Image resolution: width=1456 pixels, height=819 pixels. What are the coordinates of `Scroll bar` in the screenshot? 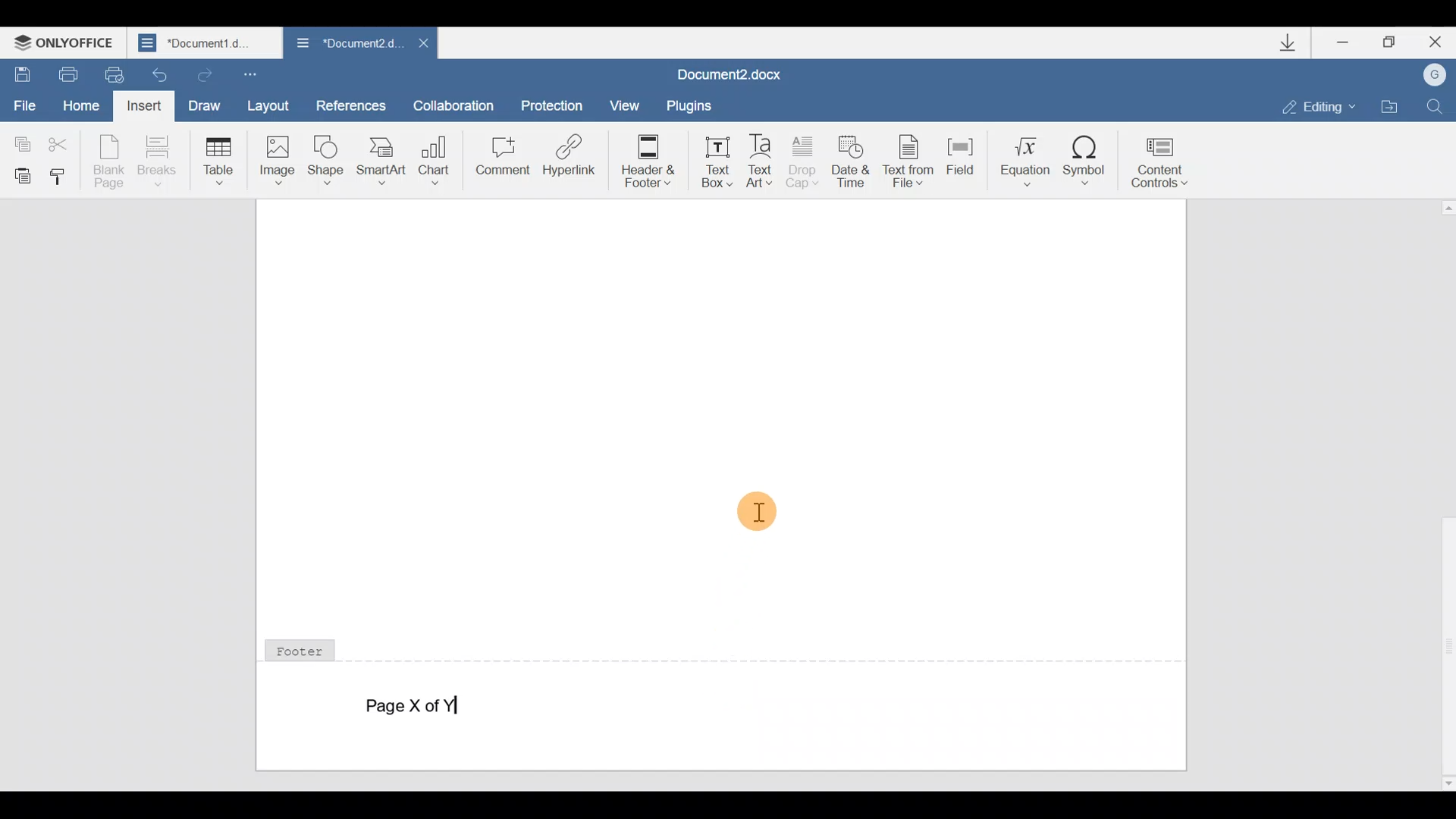 It's located at (1442, 492).